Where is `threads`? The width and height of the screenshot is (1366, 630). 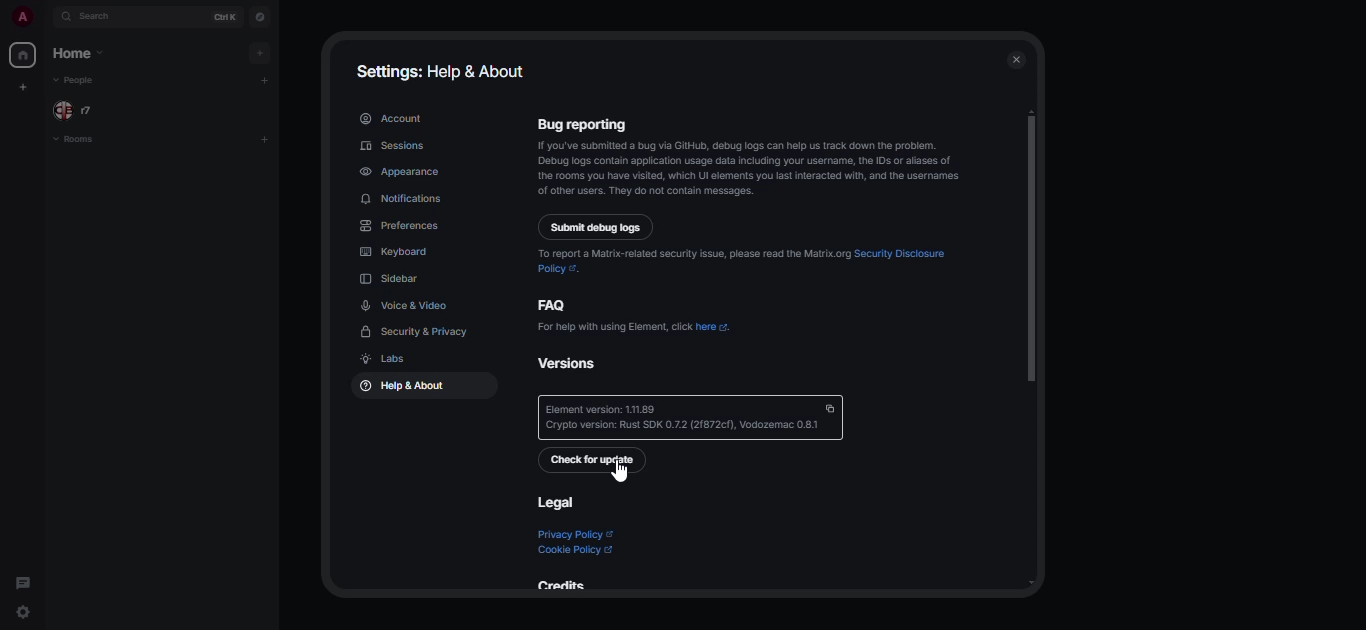 threads is located at coordinates (24, 584).